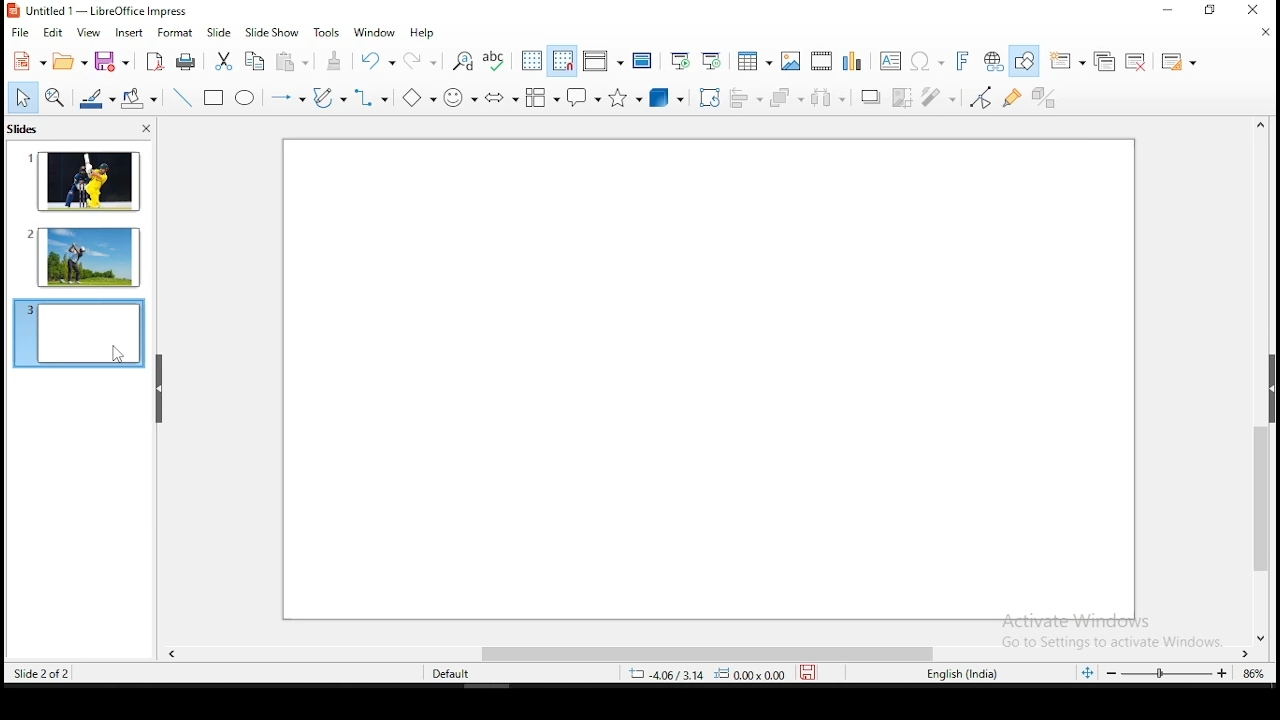 This screenshot has width=1280, height=720. Describe the element at coordinates (604, 59) in the screenshot. I see `display views` at that location.